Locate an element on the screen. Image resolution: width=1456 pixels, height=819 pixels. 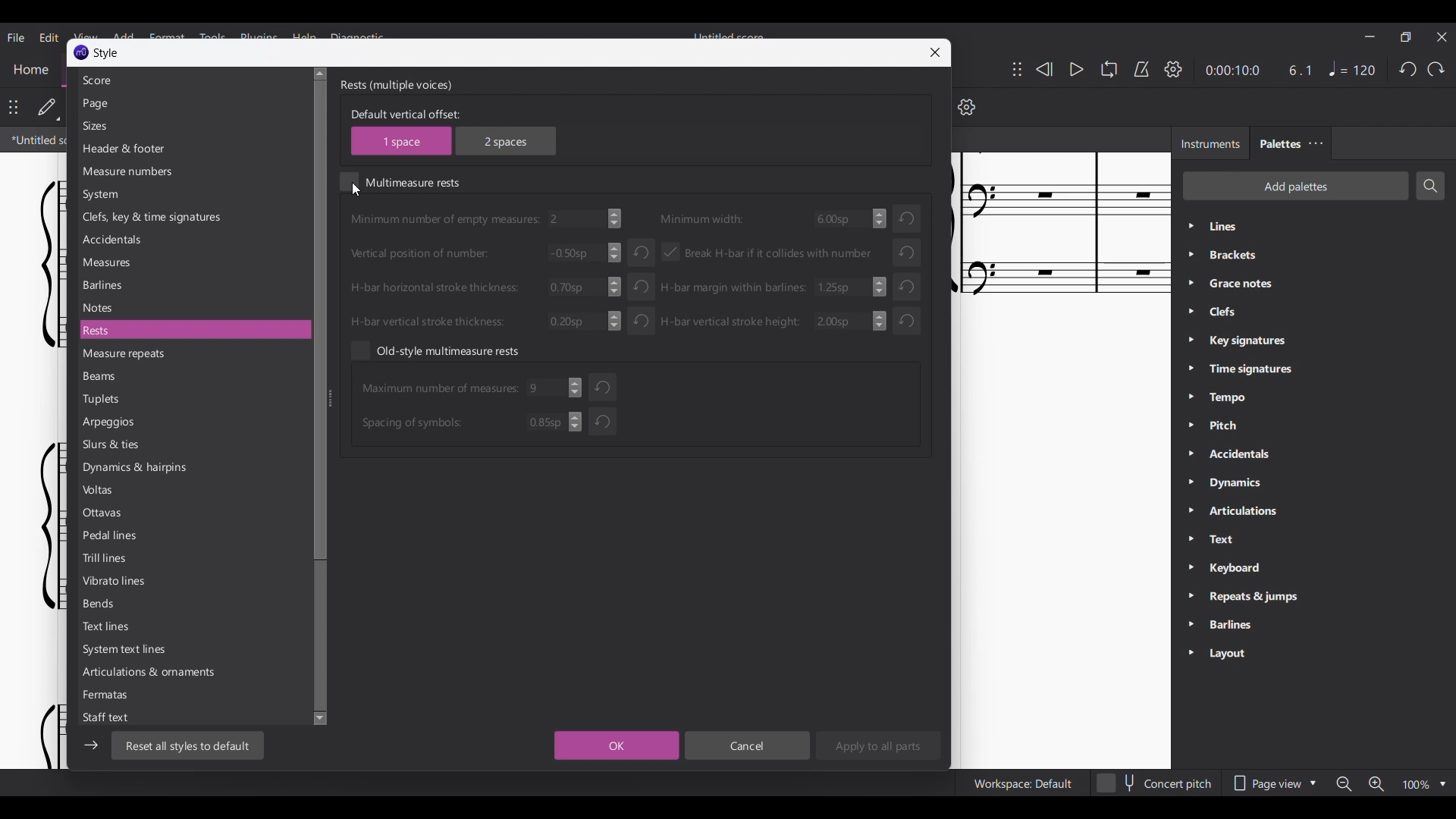
Header and footer is located at coordinates (193, 149).